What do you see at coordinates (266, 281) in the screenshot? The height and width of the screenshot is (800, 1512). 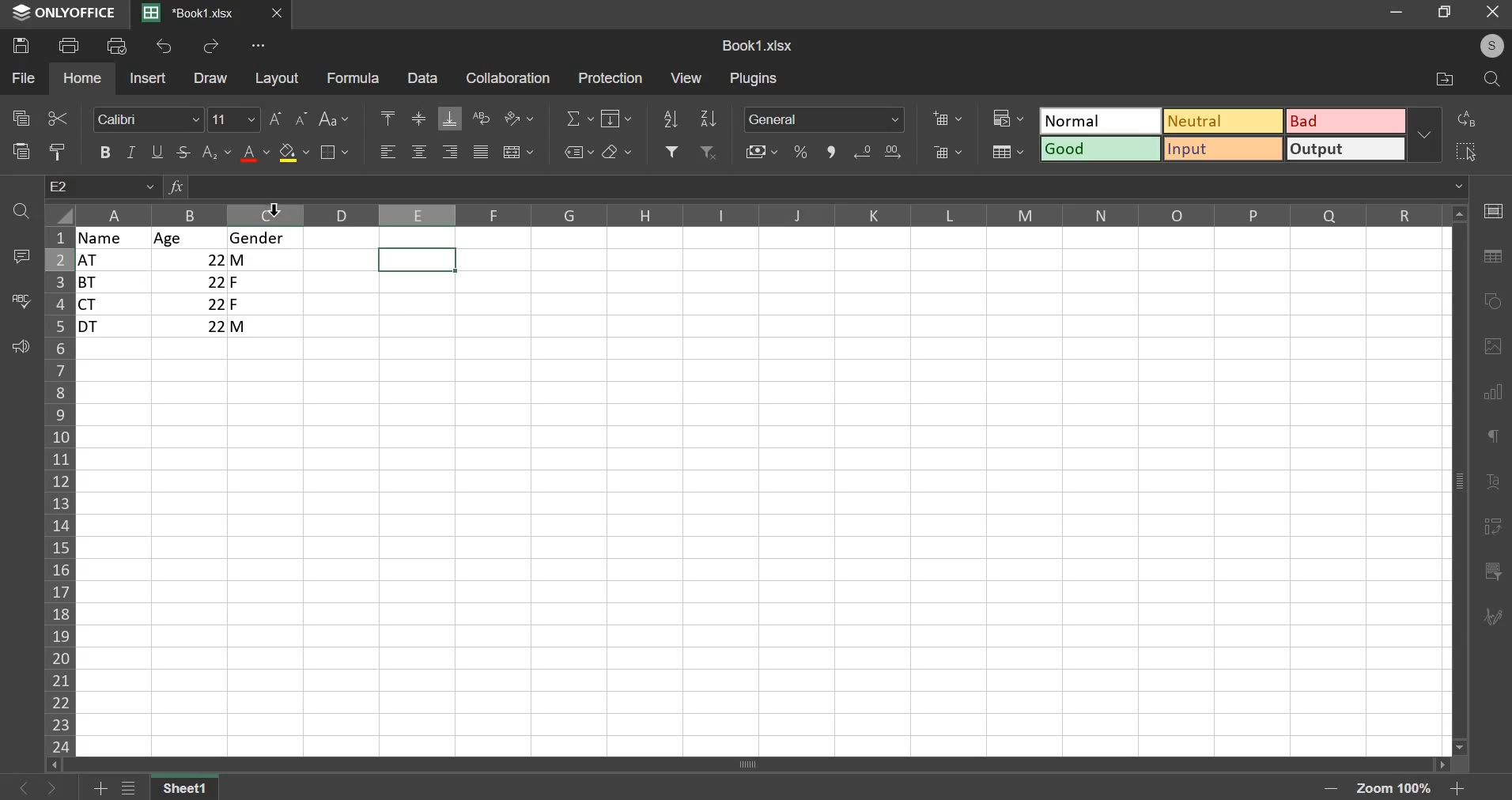 I see `F` at bounding box center [266, 281].